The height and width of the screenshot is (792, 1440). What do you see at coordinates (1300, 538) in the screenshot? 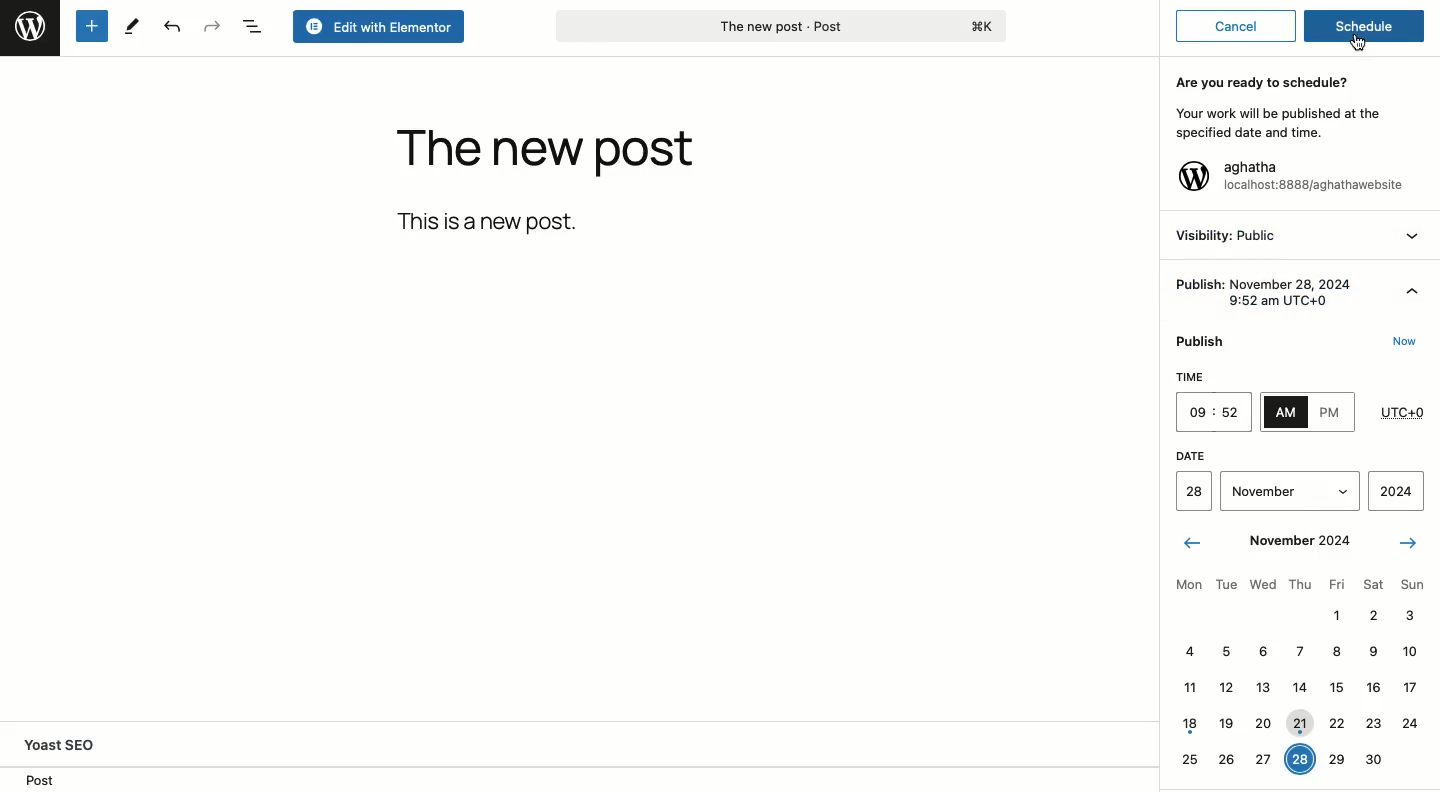
I see `November 2024` at bounding box center [1300, 538].